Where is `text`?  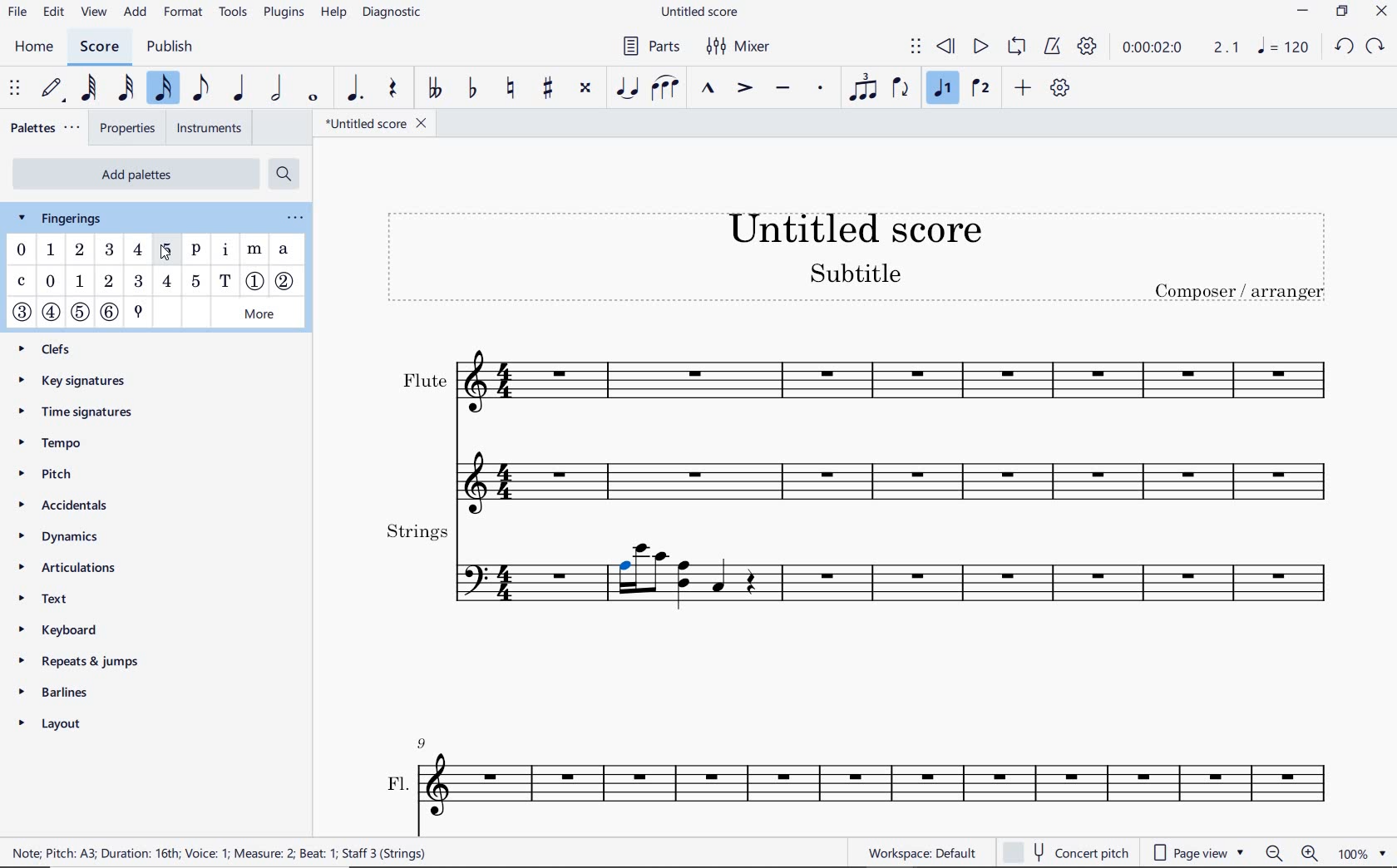 text is located at coordinates (46, 599).